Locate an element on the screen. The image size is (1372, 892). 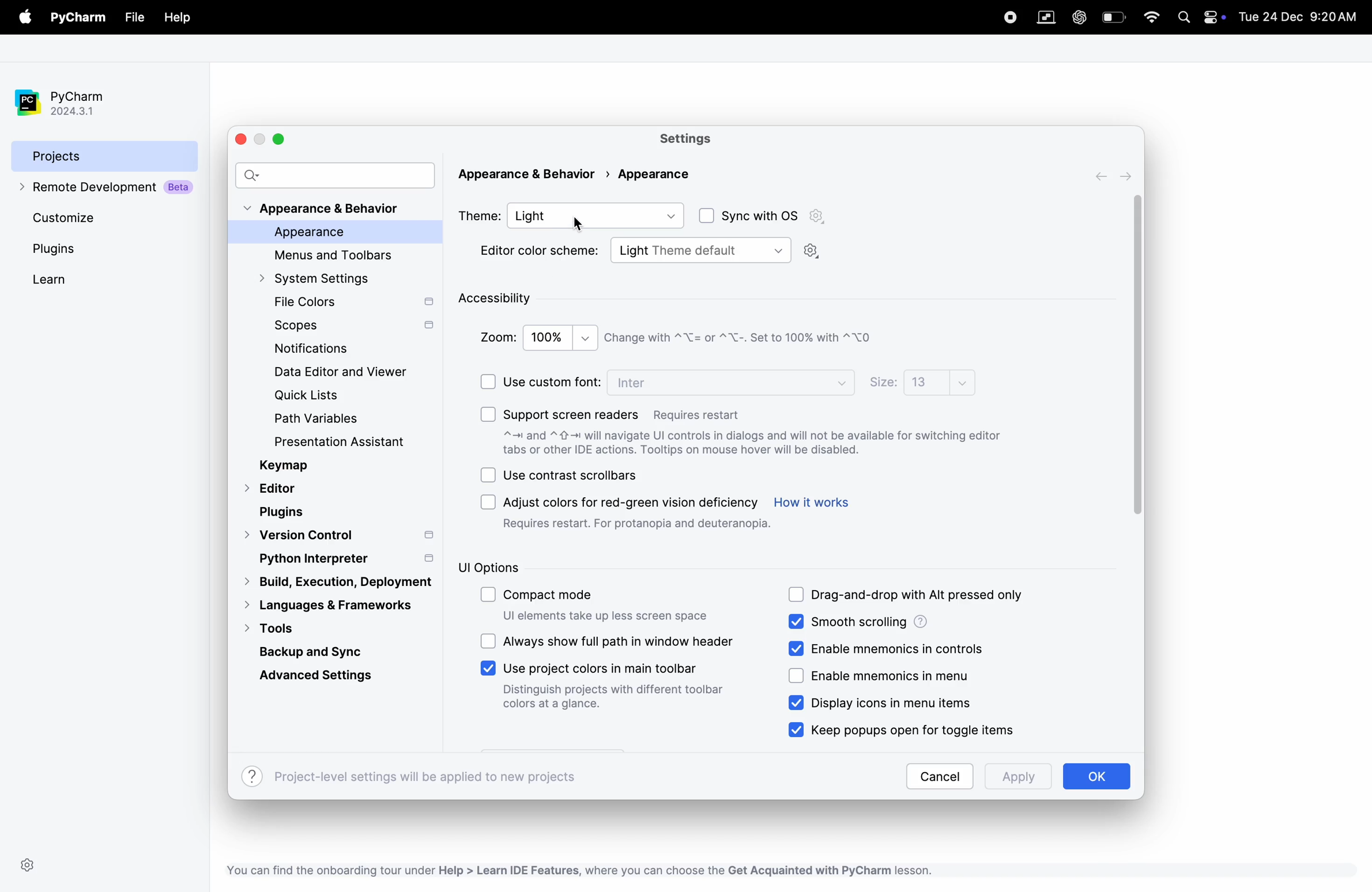
cancel is located at coordinates (939, 776).